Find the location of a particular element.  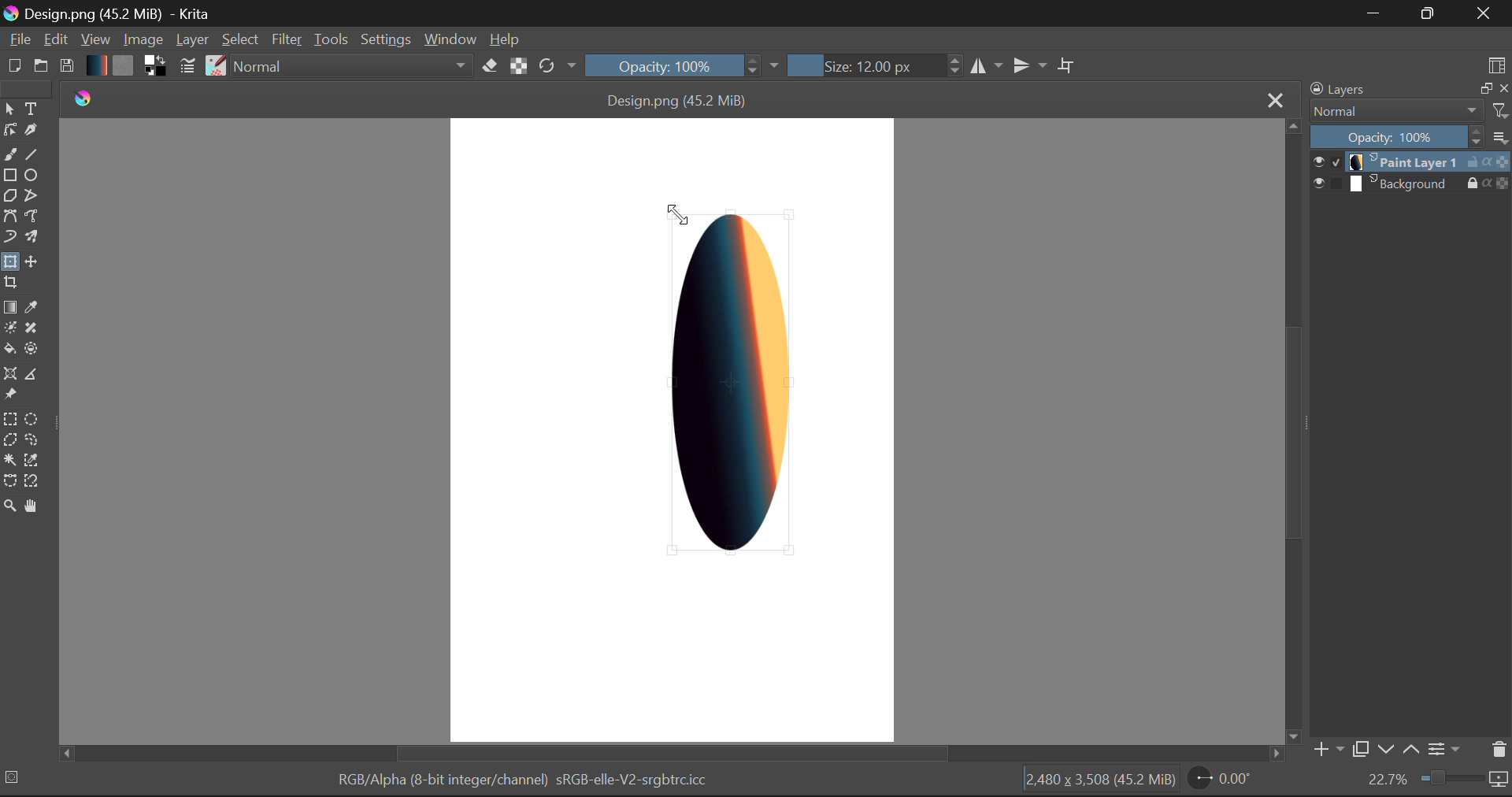

View is located at coordinates (94, 39).